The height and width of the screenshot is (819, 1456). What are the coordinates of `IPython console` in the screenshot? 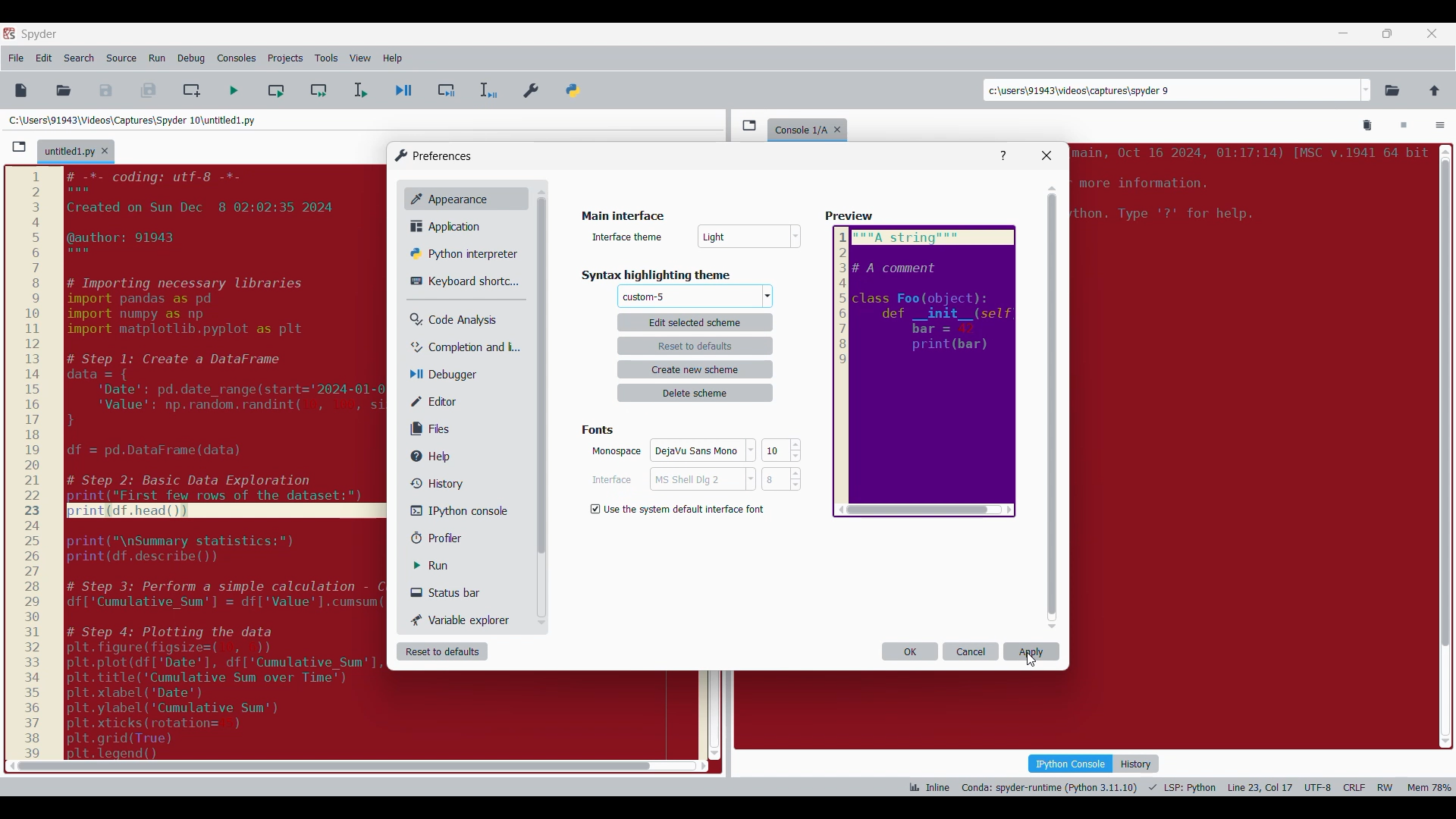 It's located at (1070, 763).